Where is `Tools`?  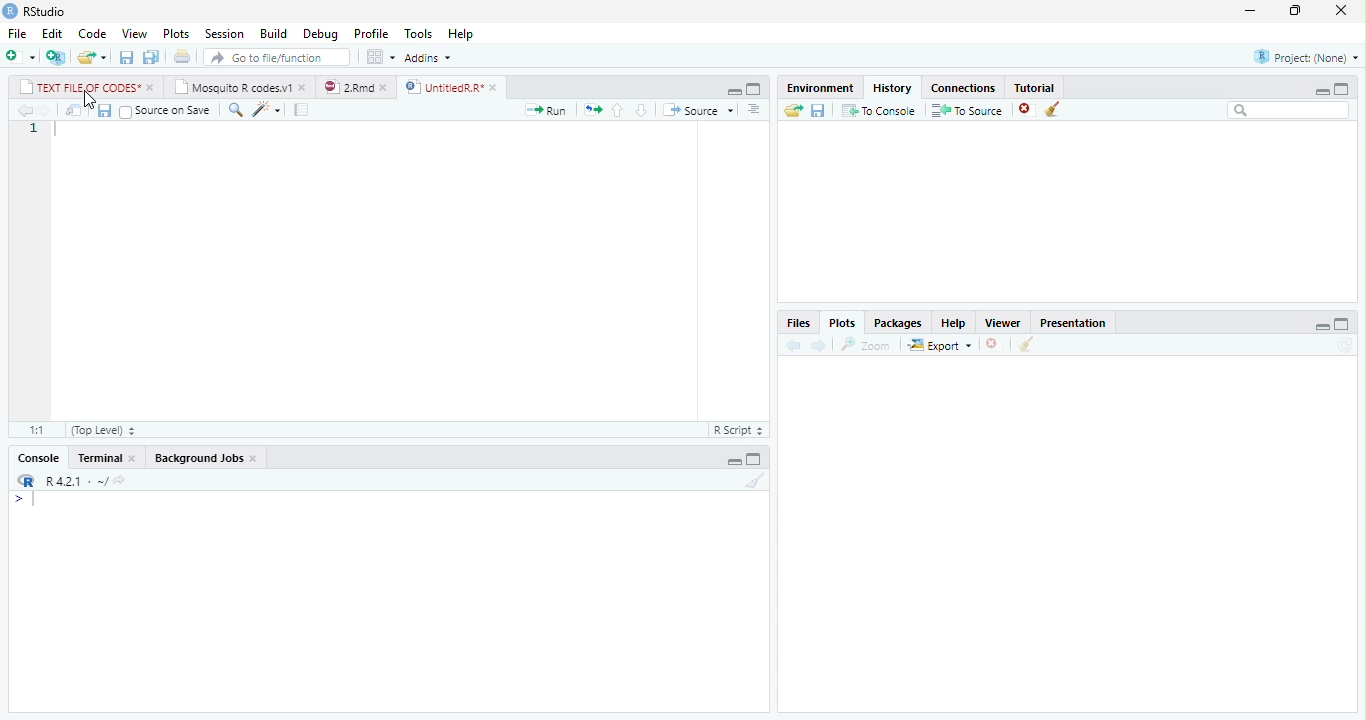 Tools is located at coordinates (418, 32).